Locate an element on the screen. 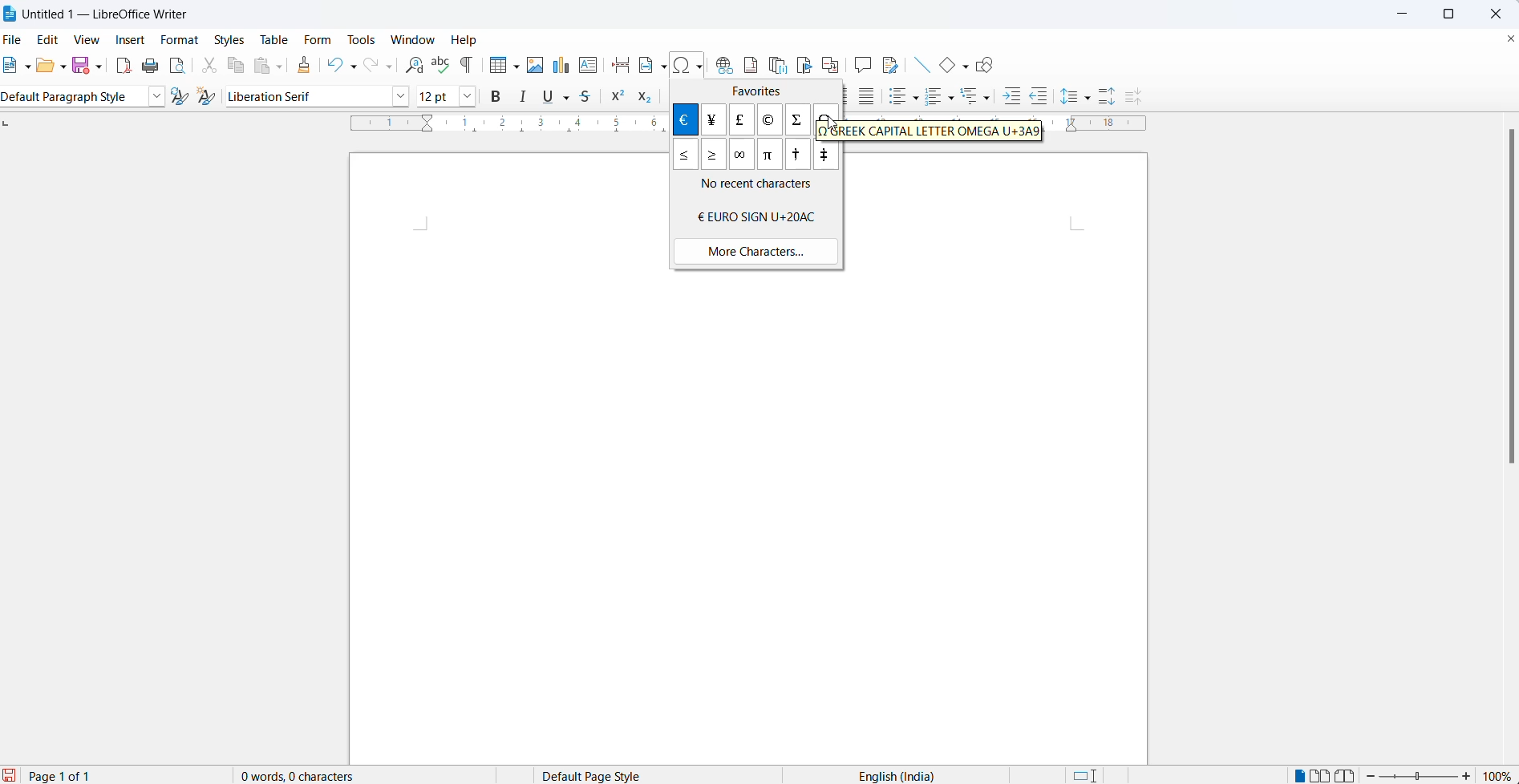 This screenshot has width=1519, height=784. redo options is located at coordinates (391, 68).